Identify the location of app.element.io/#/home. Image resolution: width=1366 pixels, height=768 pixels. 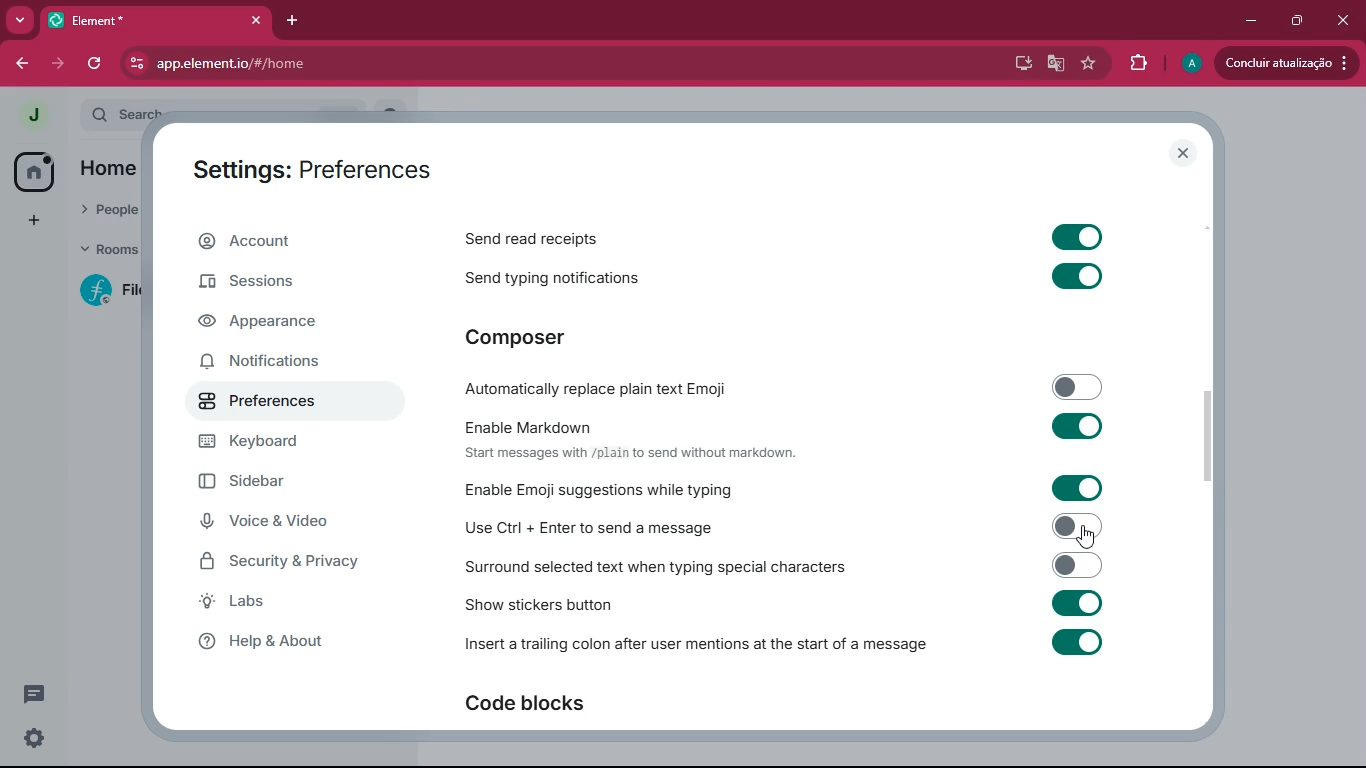
(358, 65).